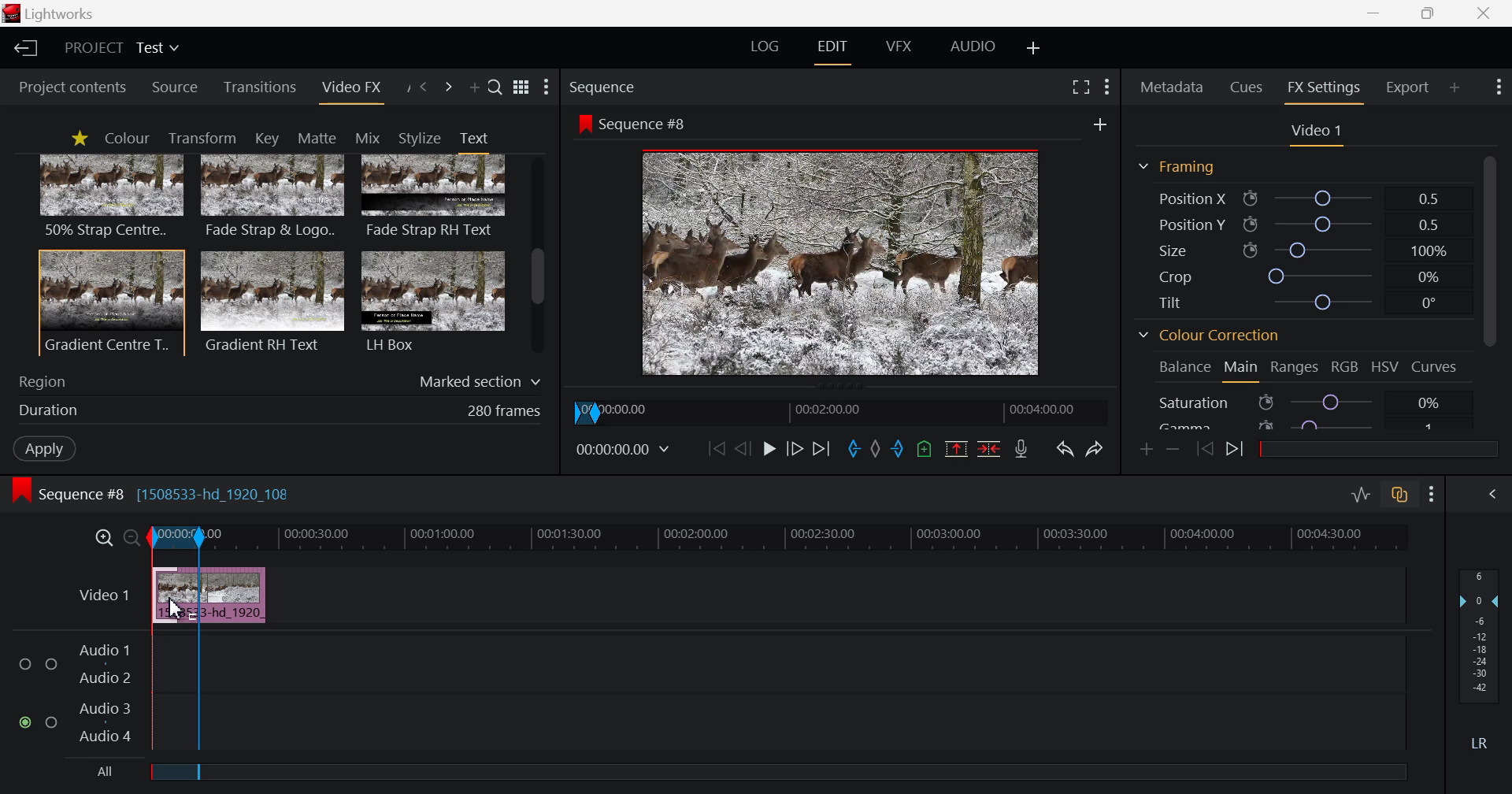  What do you see at coordinates (1489, 288) in the screenshot?
I see `Scroll Bar` at bounding box center [1489, 288].